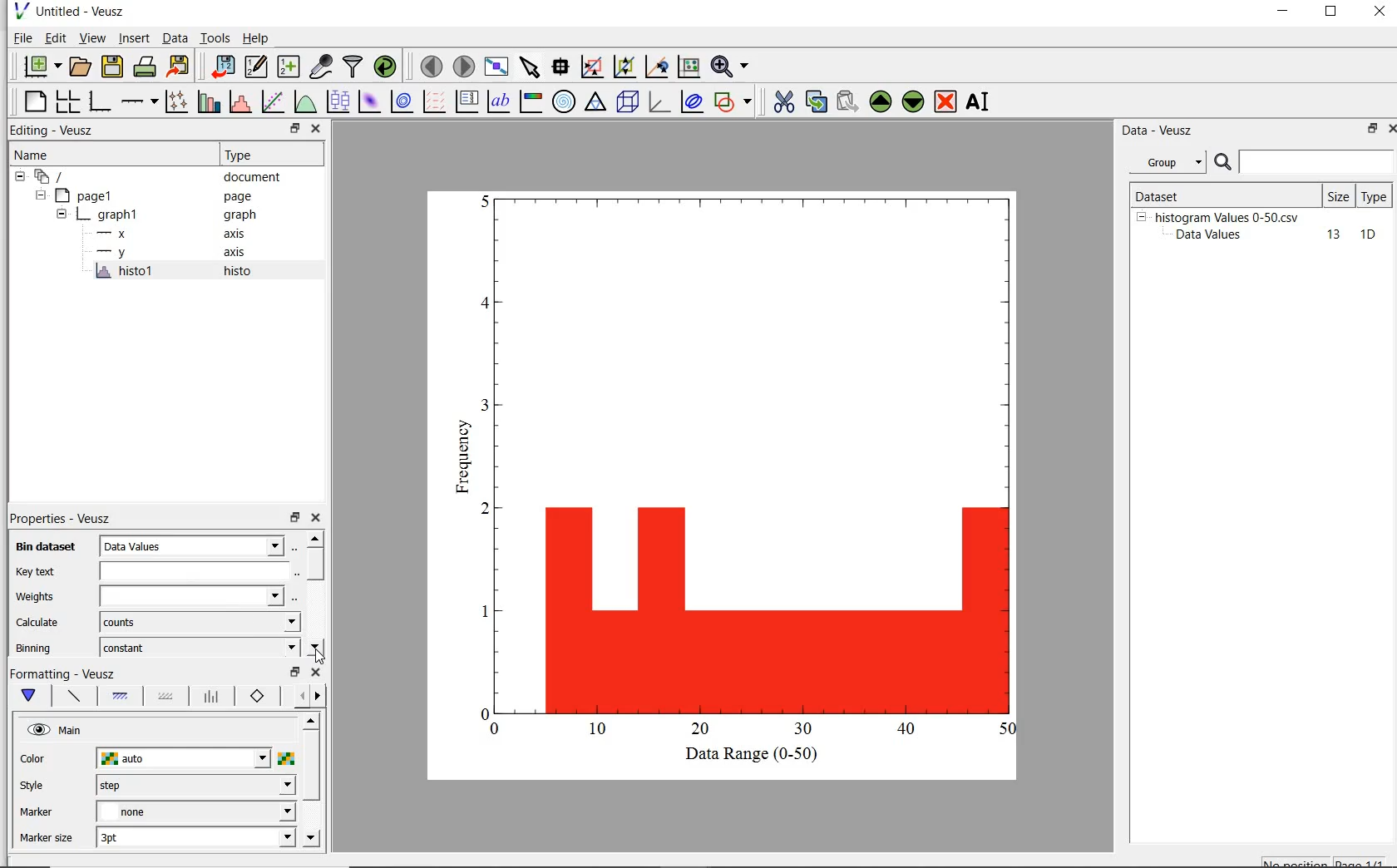 This screenshot has height=868, width=1397. What do you see at coordinates (980, 101) in the screenshot?
I see `rename the selected widget` at bounding box center [980, 101].